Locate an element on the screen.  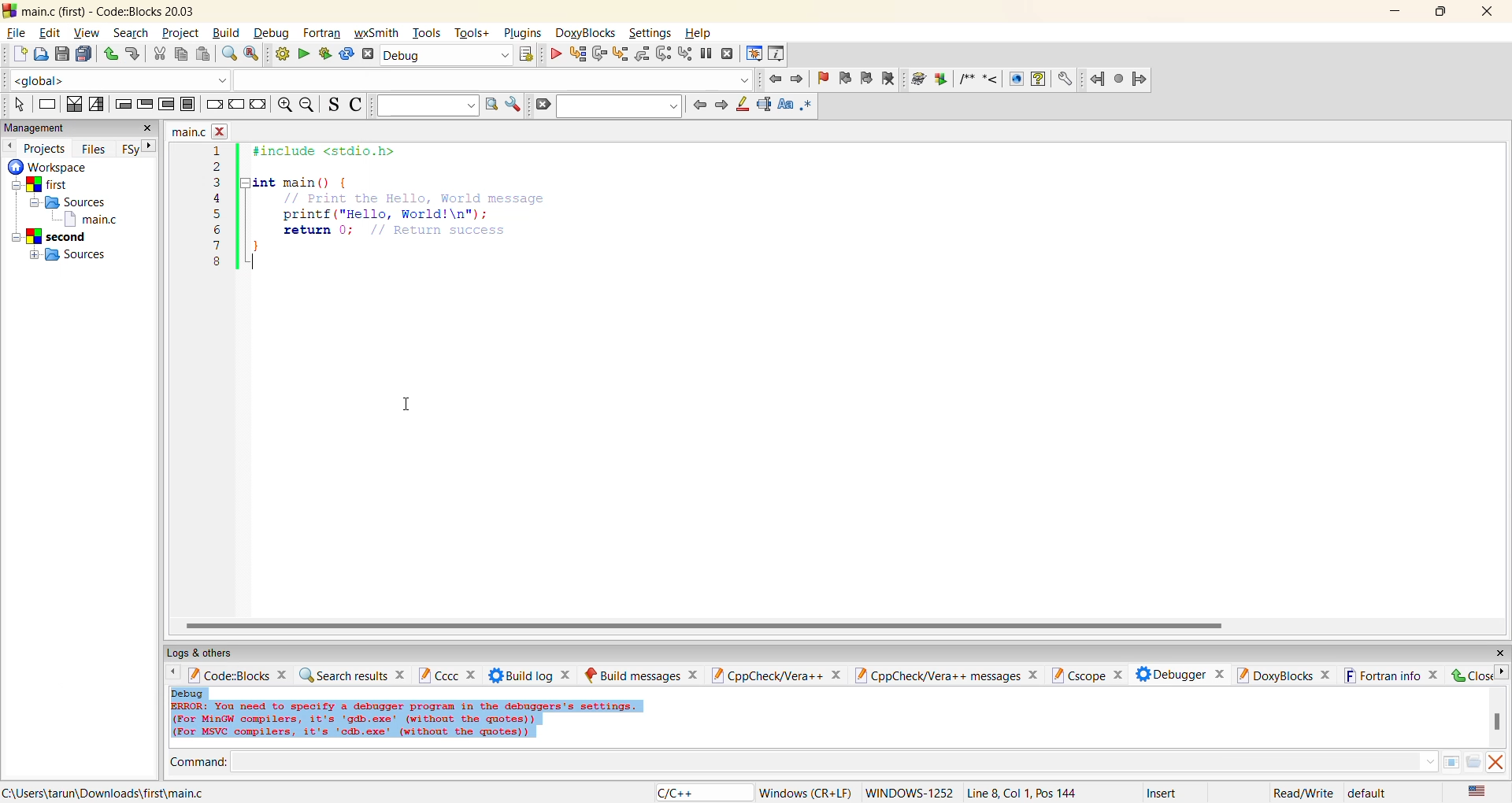
build target is located at coordinates (447, 56).